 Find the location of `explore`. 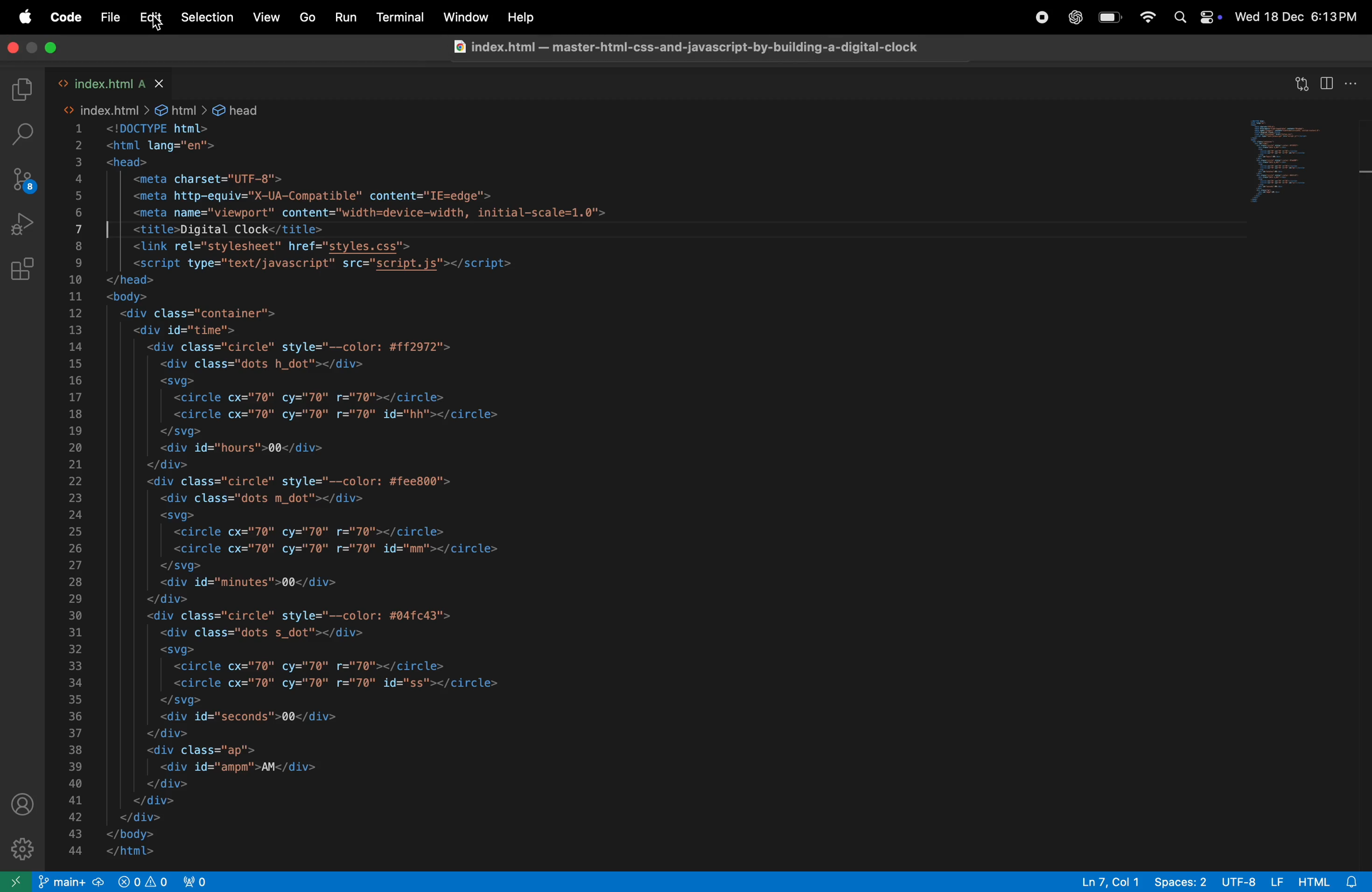

explore is located at coordinates (21, 90).